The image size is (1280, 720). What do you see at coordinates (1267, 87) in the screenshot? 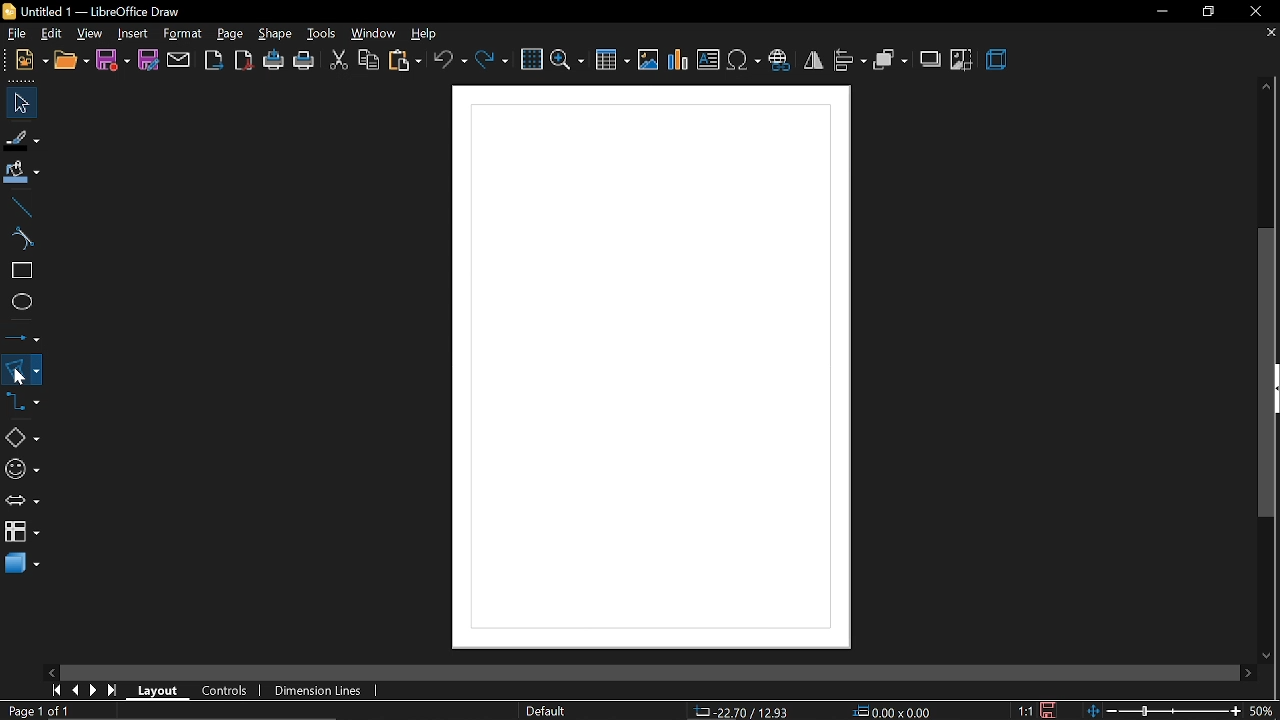
I see `move up` at bounding box center [1267, 87].